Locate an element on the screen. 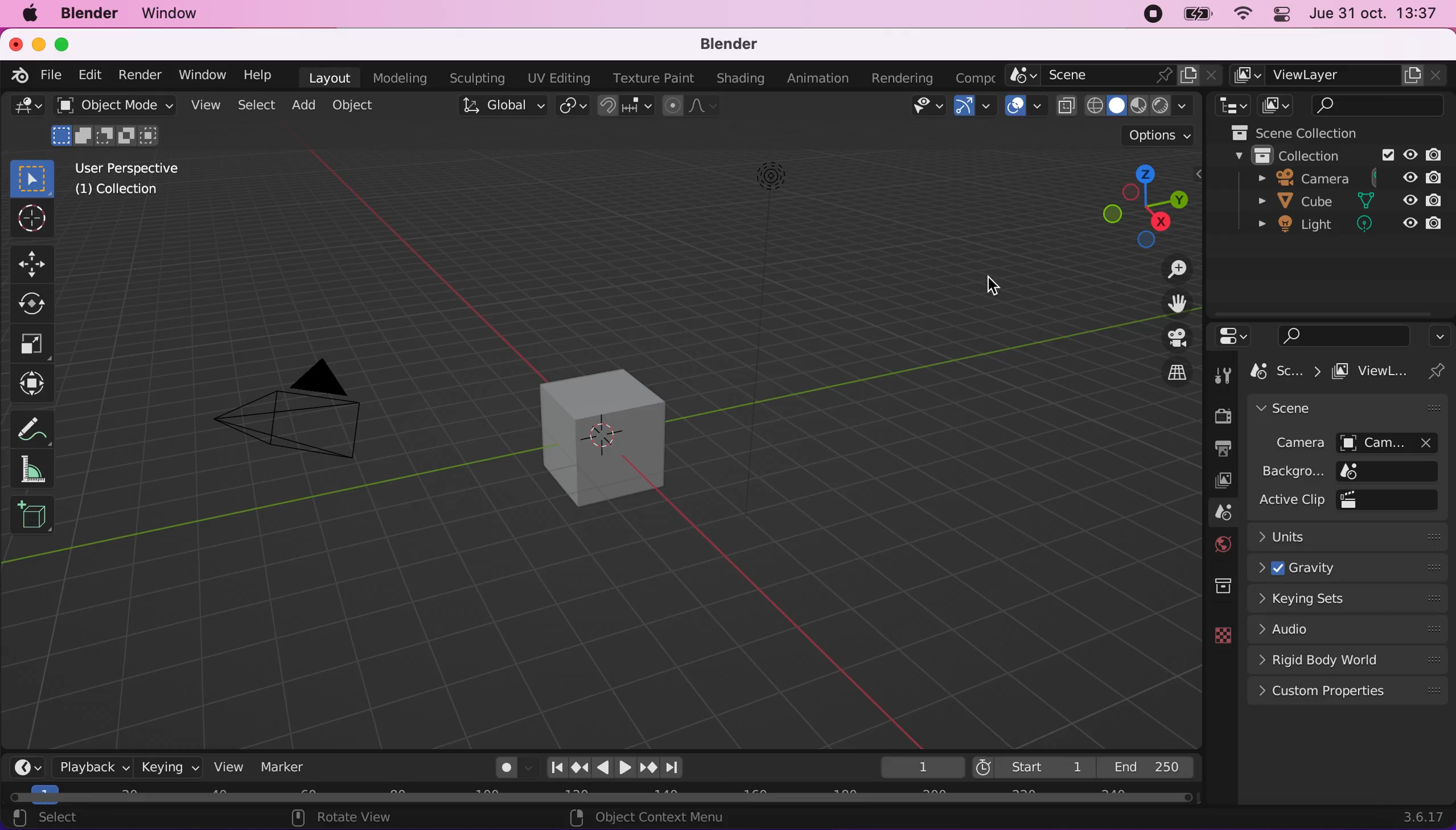 The image size is (1456, 830). pin is located at coordinates (1441, 371).